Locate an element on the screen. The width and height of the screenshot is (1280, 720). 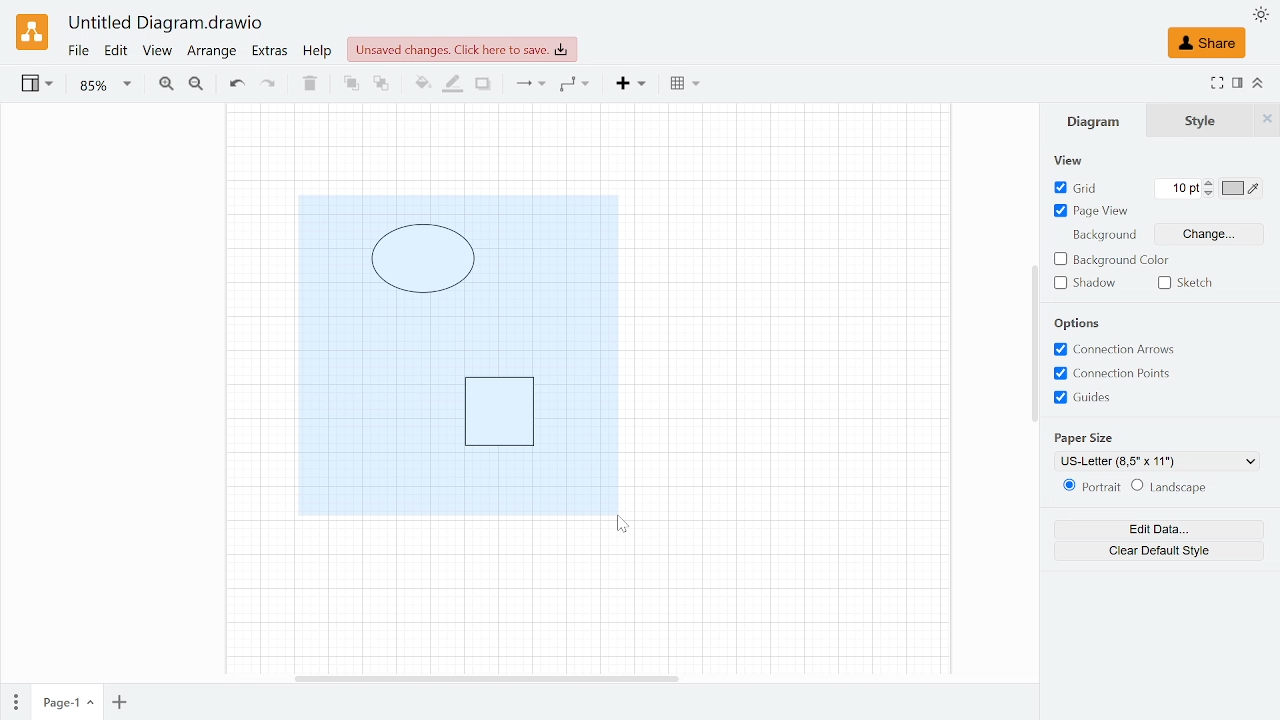
Grid is located at coordinates (1078, 189).